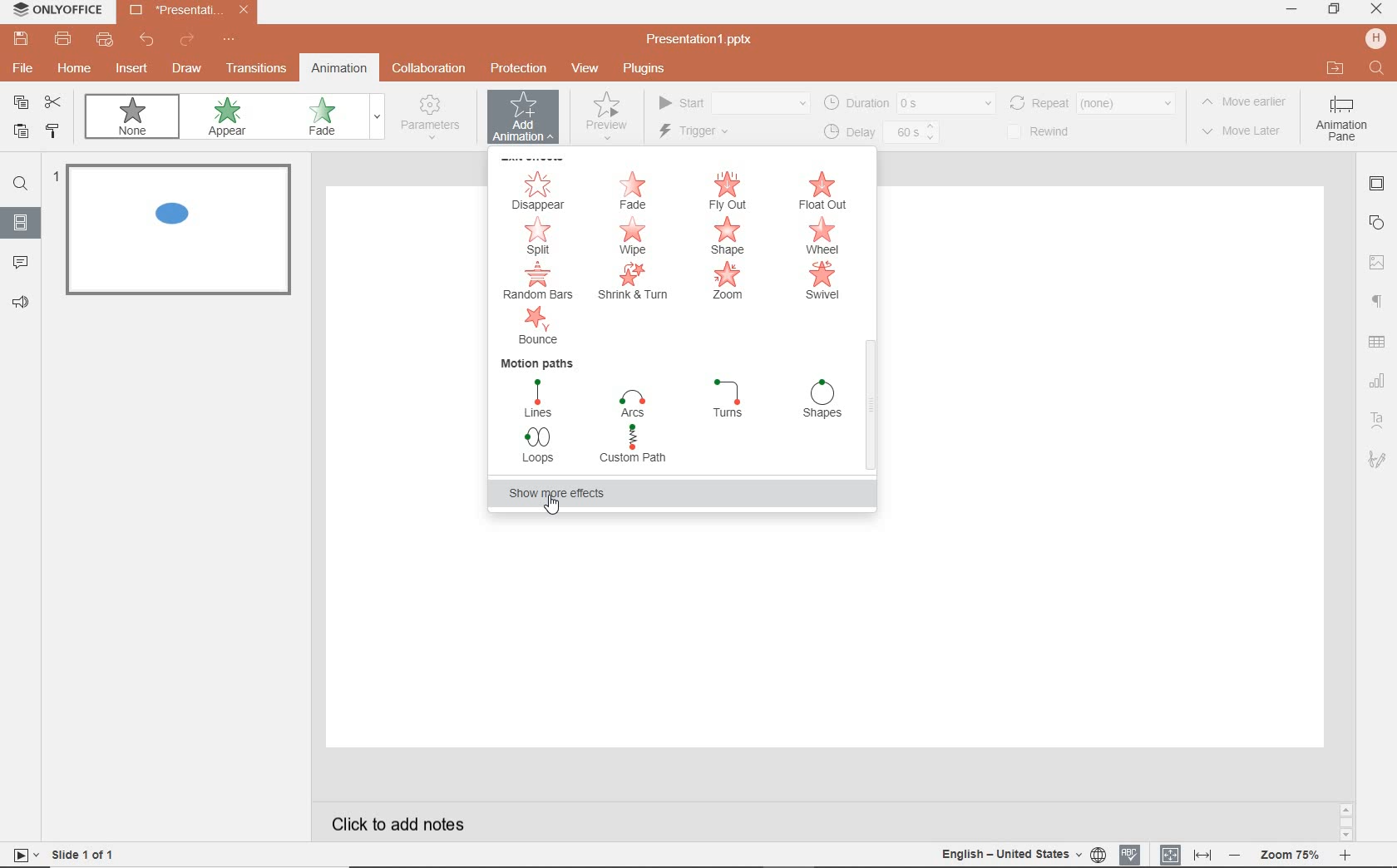 Image resolution: width=1397 pixels, height=868 pixels. Describe the element at coordinates (544, 325) in the screenshot. I see `BOUNCE` at that location.